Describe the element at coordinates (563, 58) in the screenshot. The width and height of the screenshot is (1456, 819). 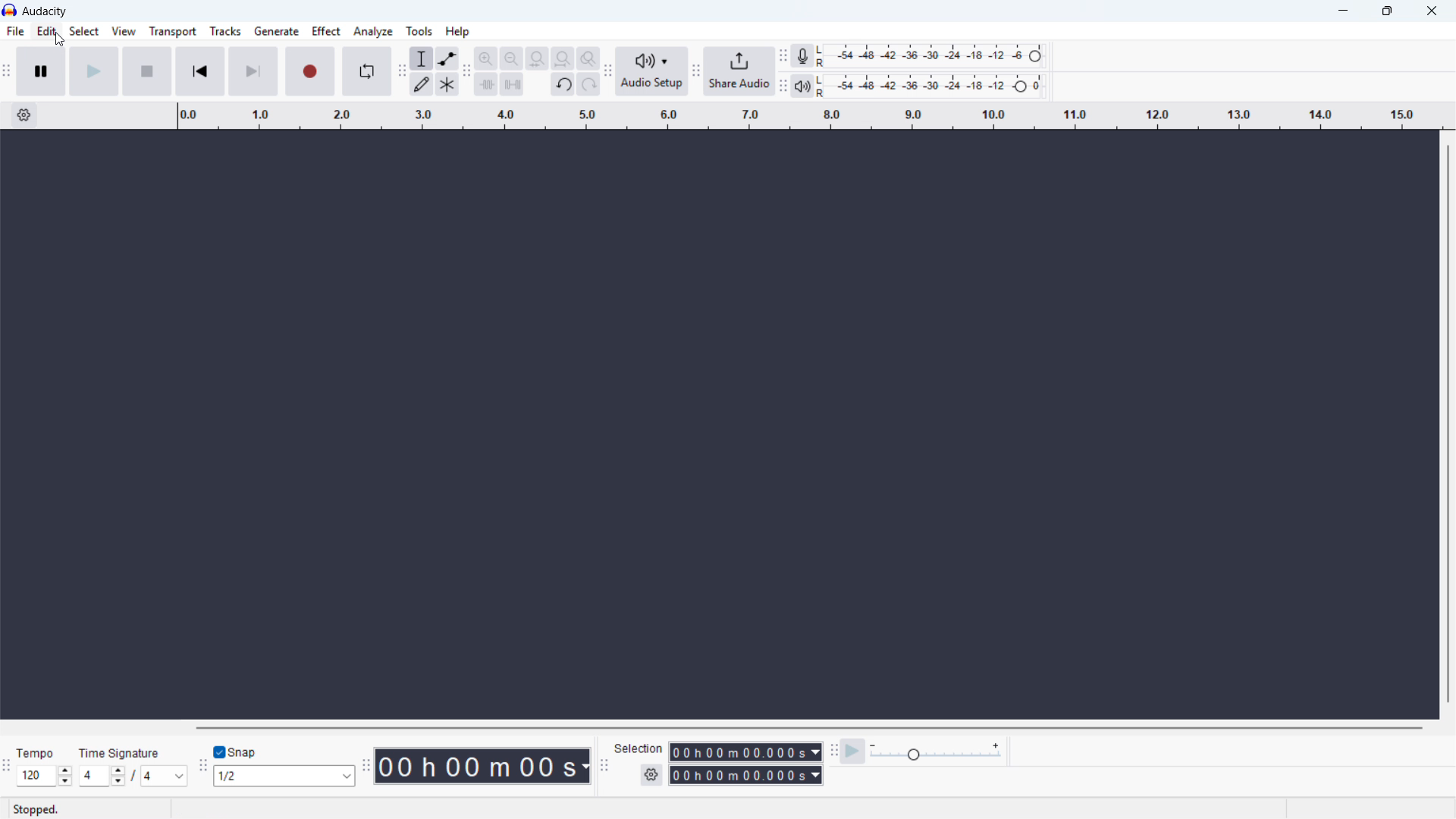
I see `fit project to width` at that location.